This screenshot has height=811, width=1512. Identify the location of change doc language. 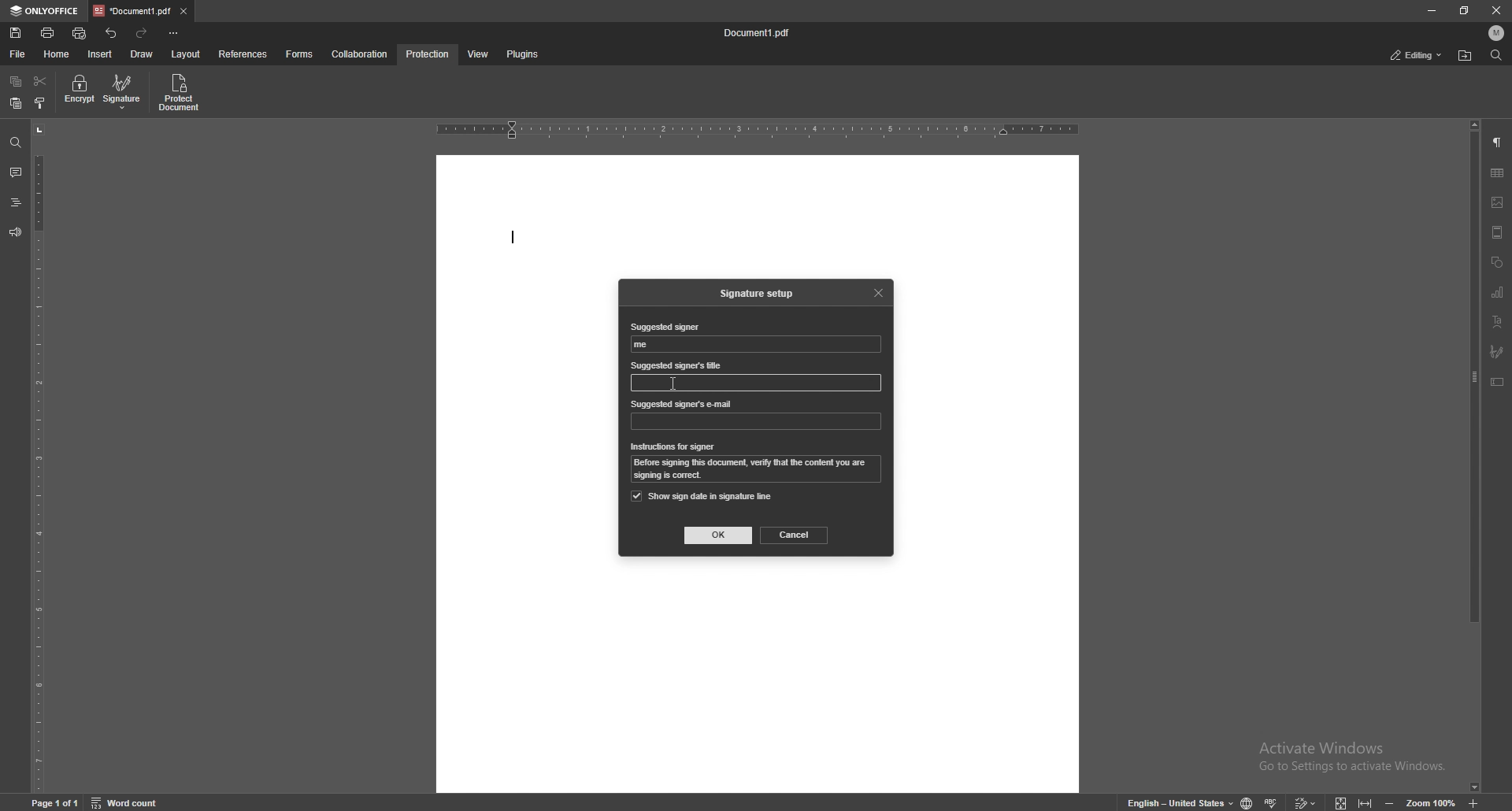
(1241, 802).